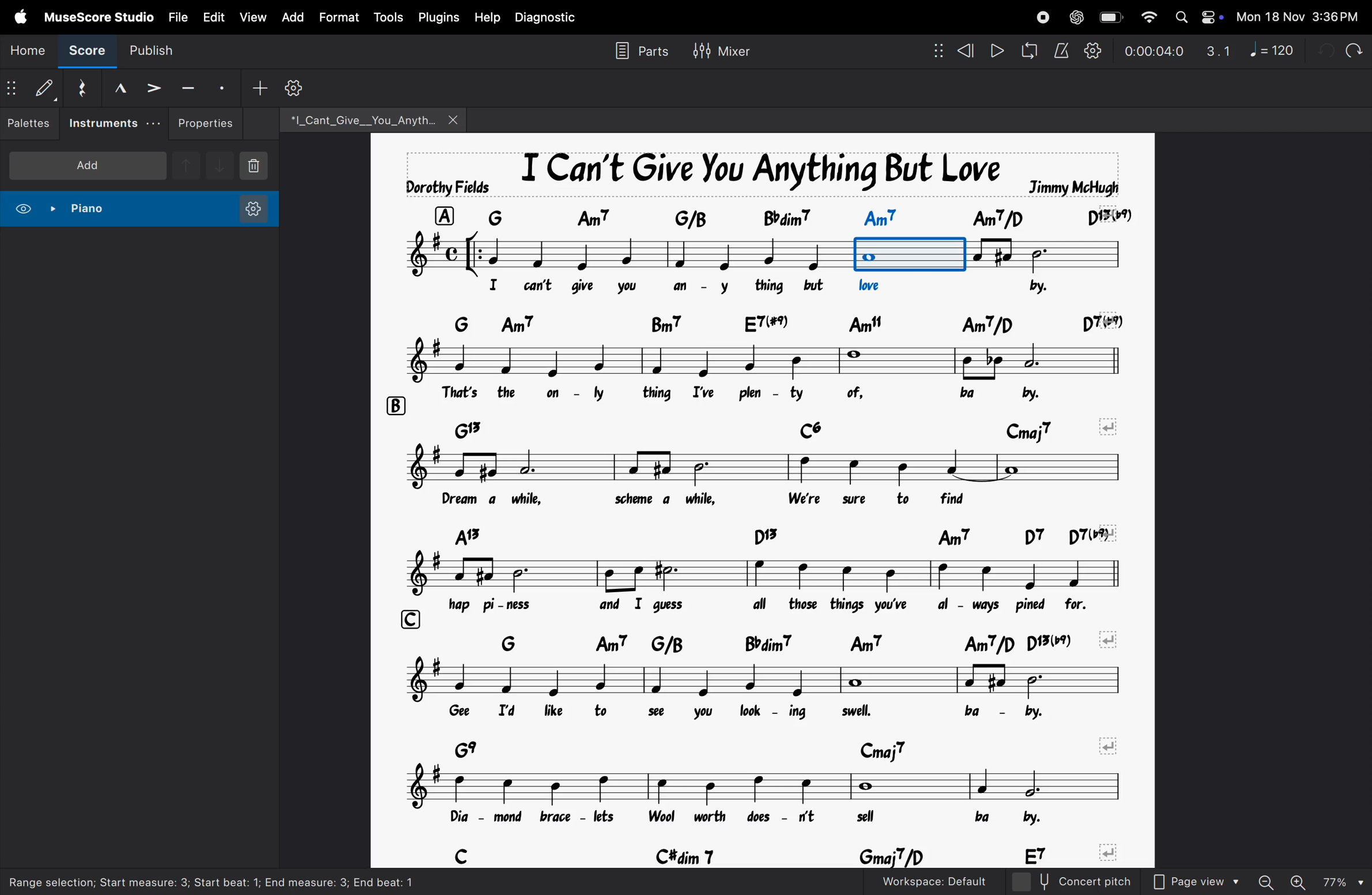  What do you see at coordinates (87, 164) in the screenshot?
I see `add` at bounding box center [87, 164].